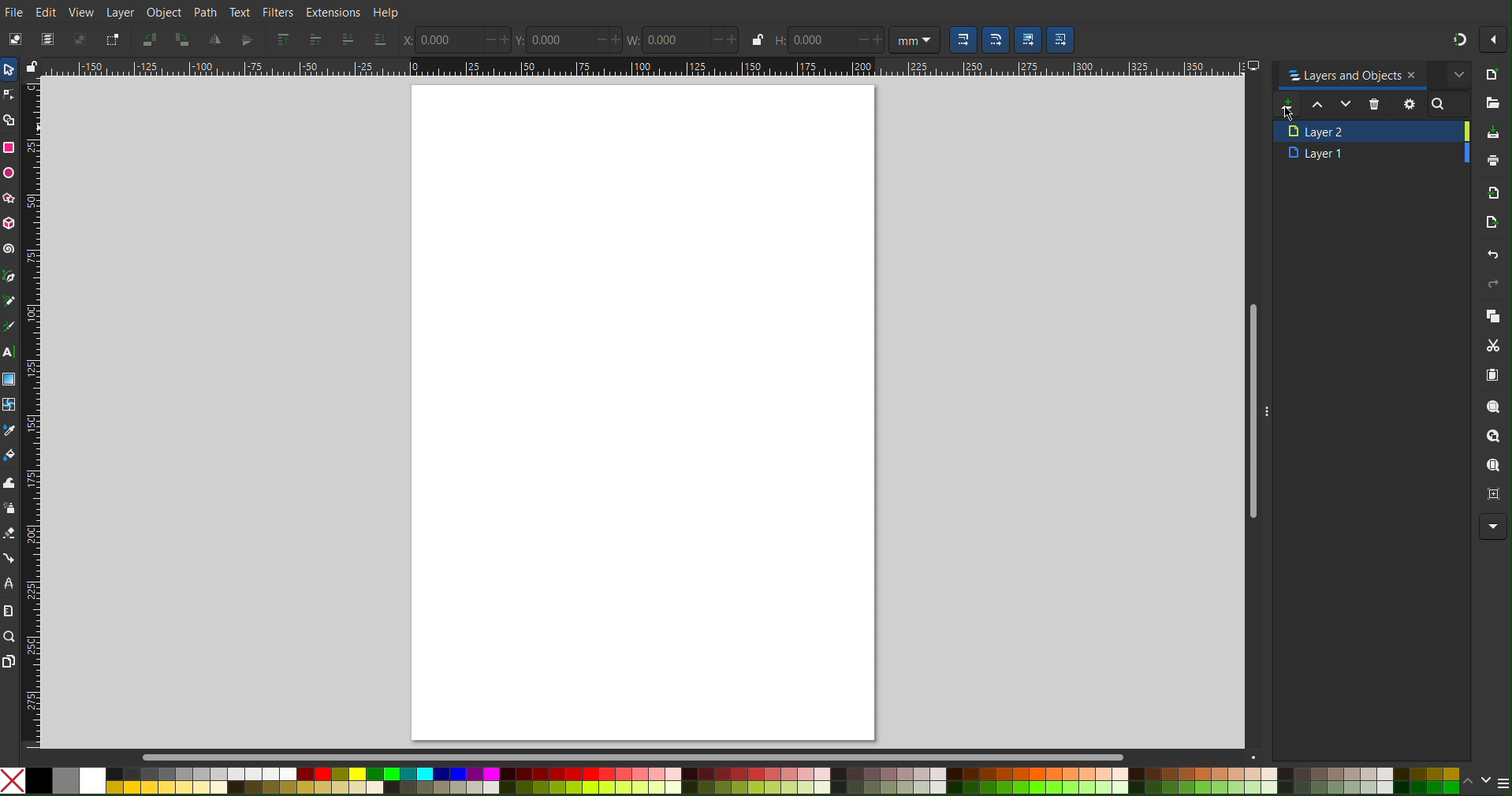 The image size is (1512, 796). What do you see at coordinates (1490, 194) in the screenshot?
I see `Import Bitmap` at bounding box center [1490, 194].